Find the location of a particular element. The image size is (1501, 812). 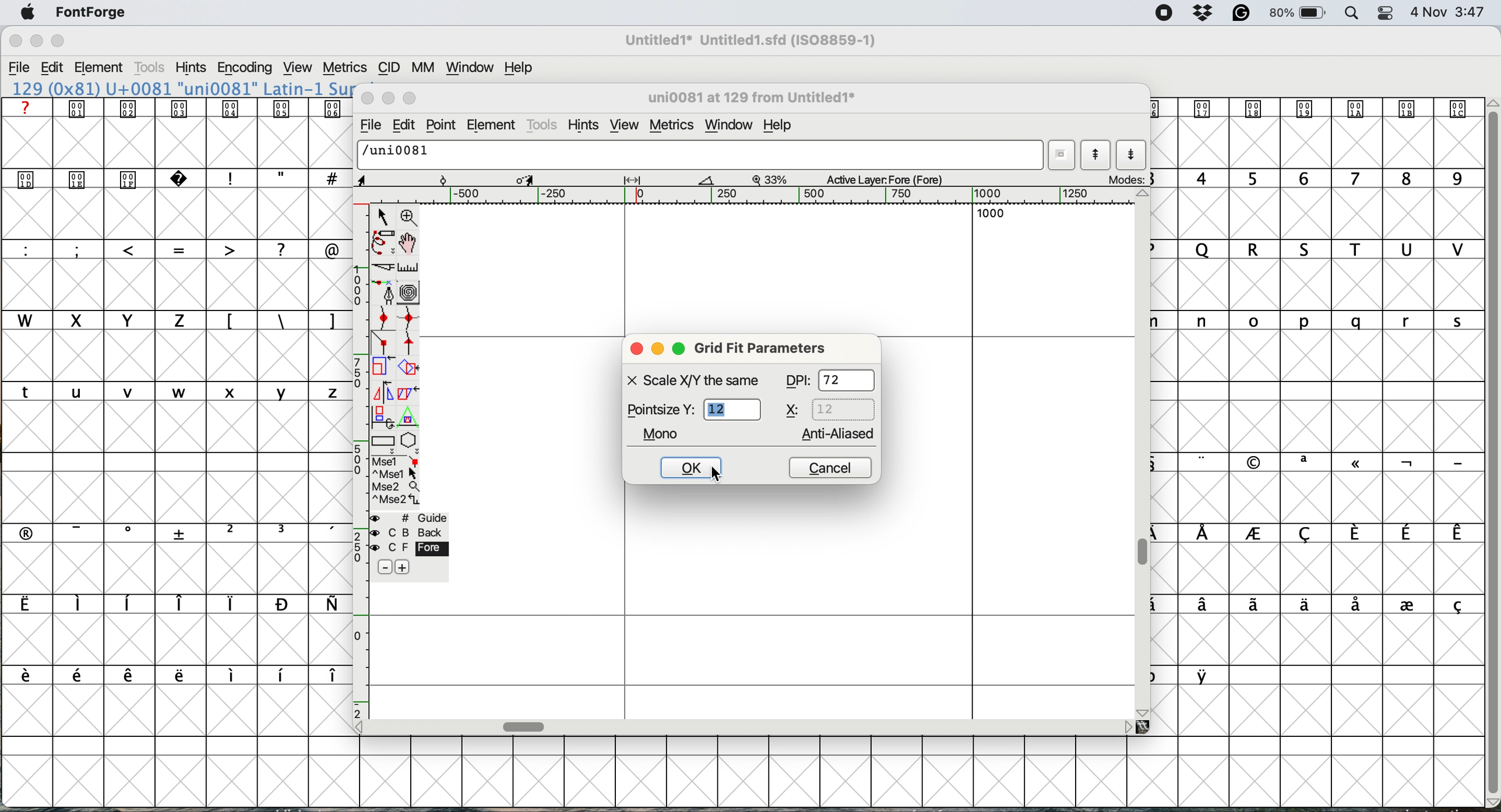

mono is located at coordinates (664, 435).